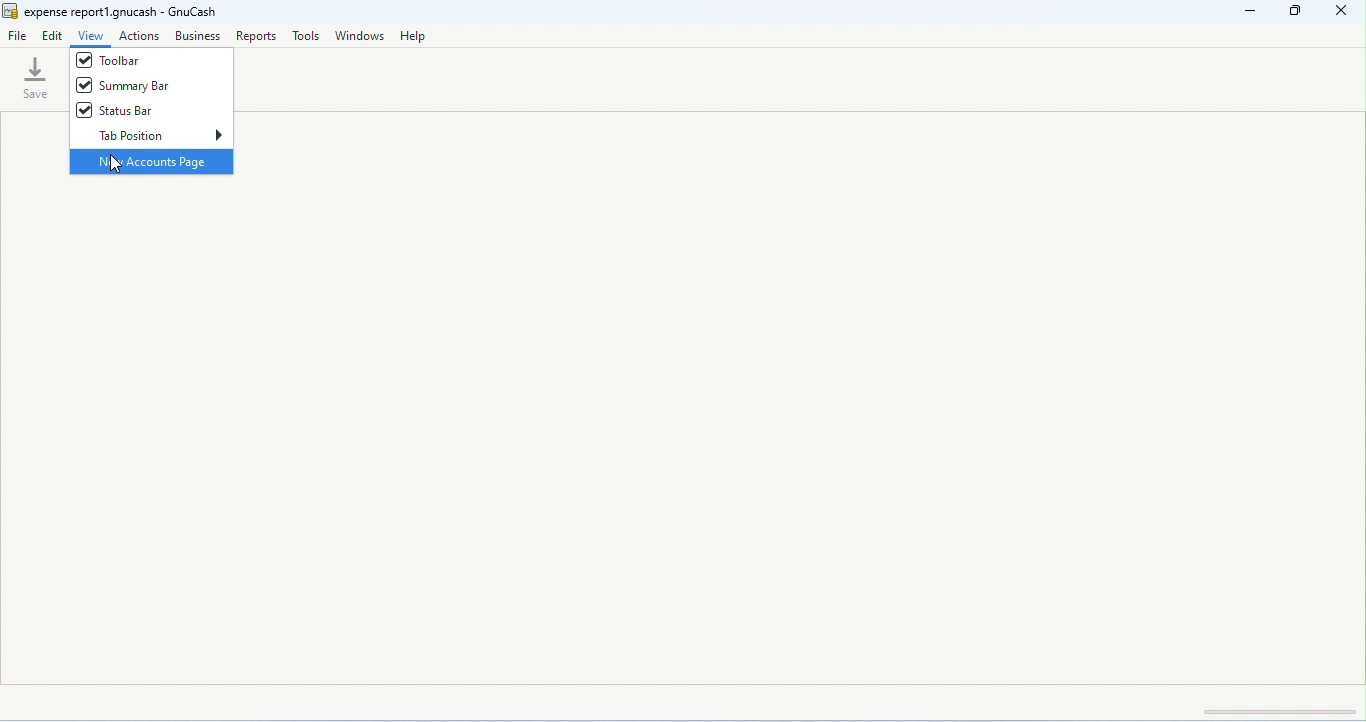 This screenshot has height=722, width=1366. What do you see at coordinates (52, 36) in the screenshot?
I see `edit` at bounding box center [52, 36].